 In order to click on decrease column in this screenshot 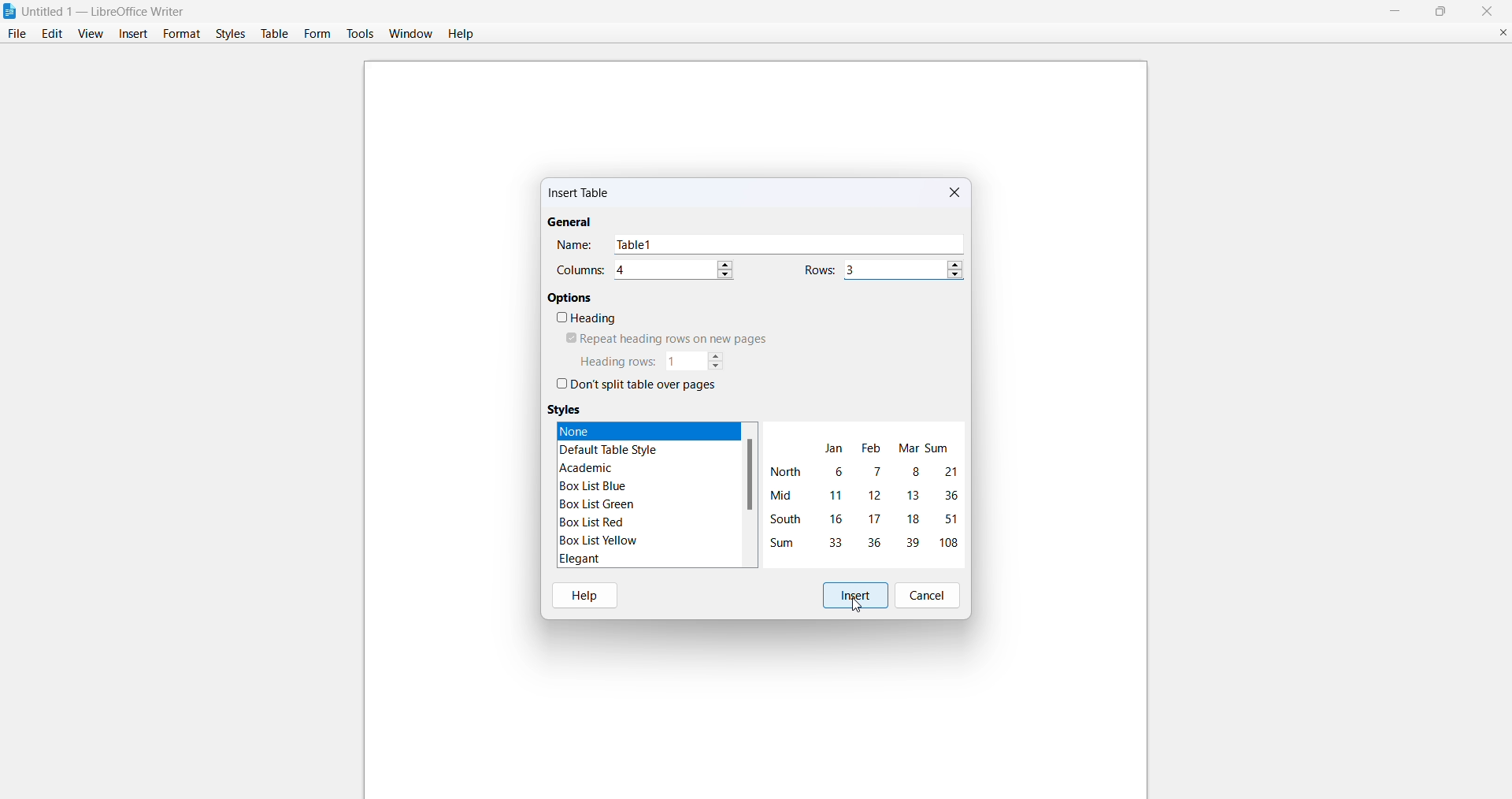, I will do `click(727, 274)`.